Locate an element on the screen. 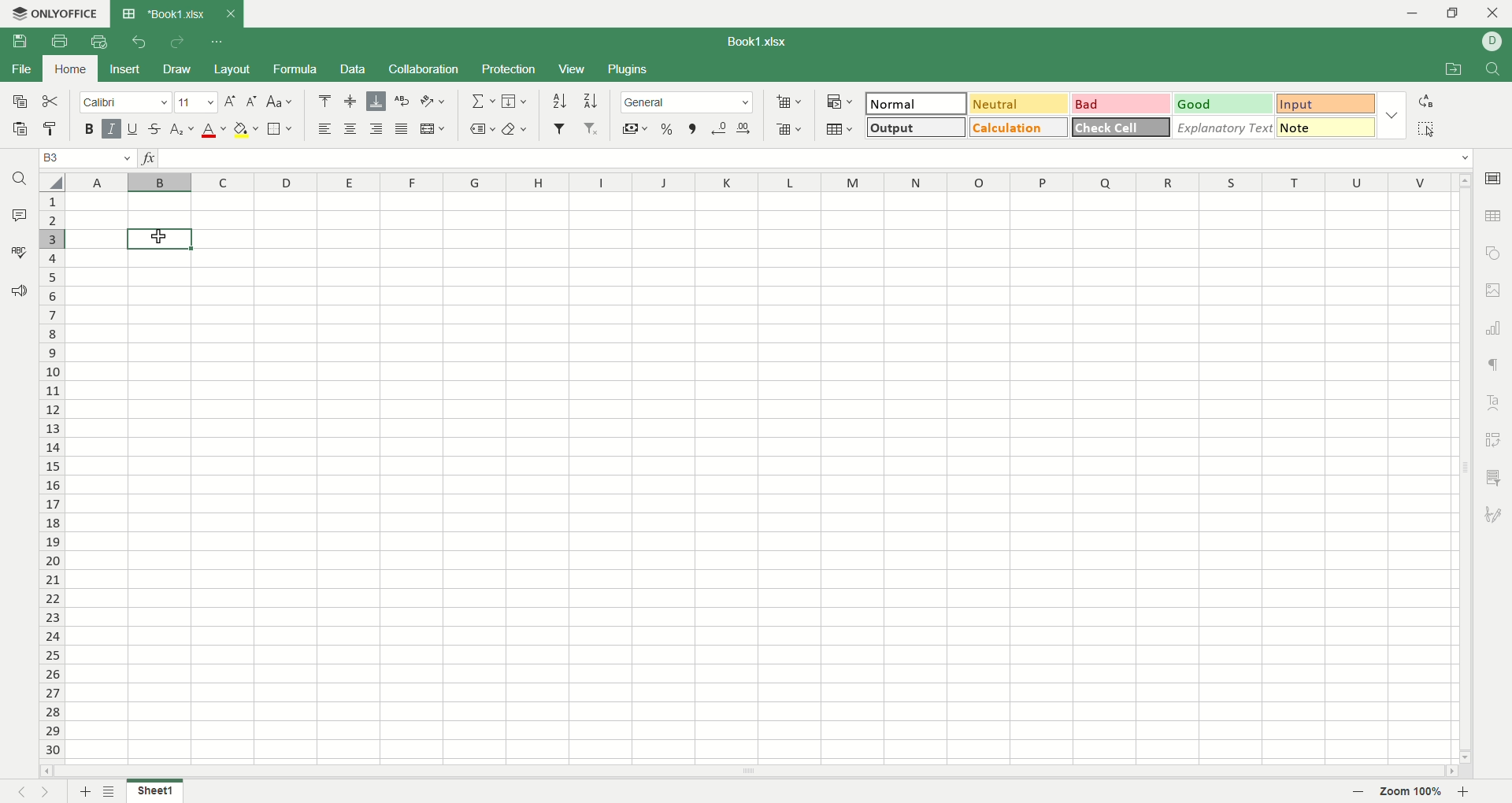 Image resolution: width=1512 pixels, height=803 pixels. column name is located at coordinates (759, 183).